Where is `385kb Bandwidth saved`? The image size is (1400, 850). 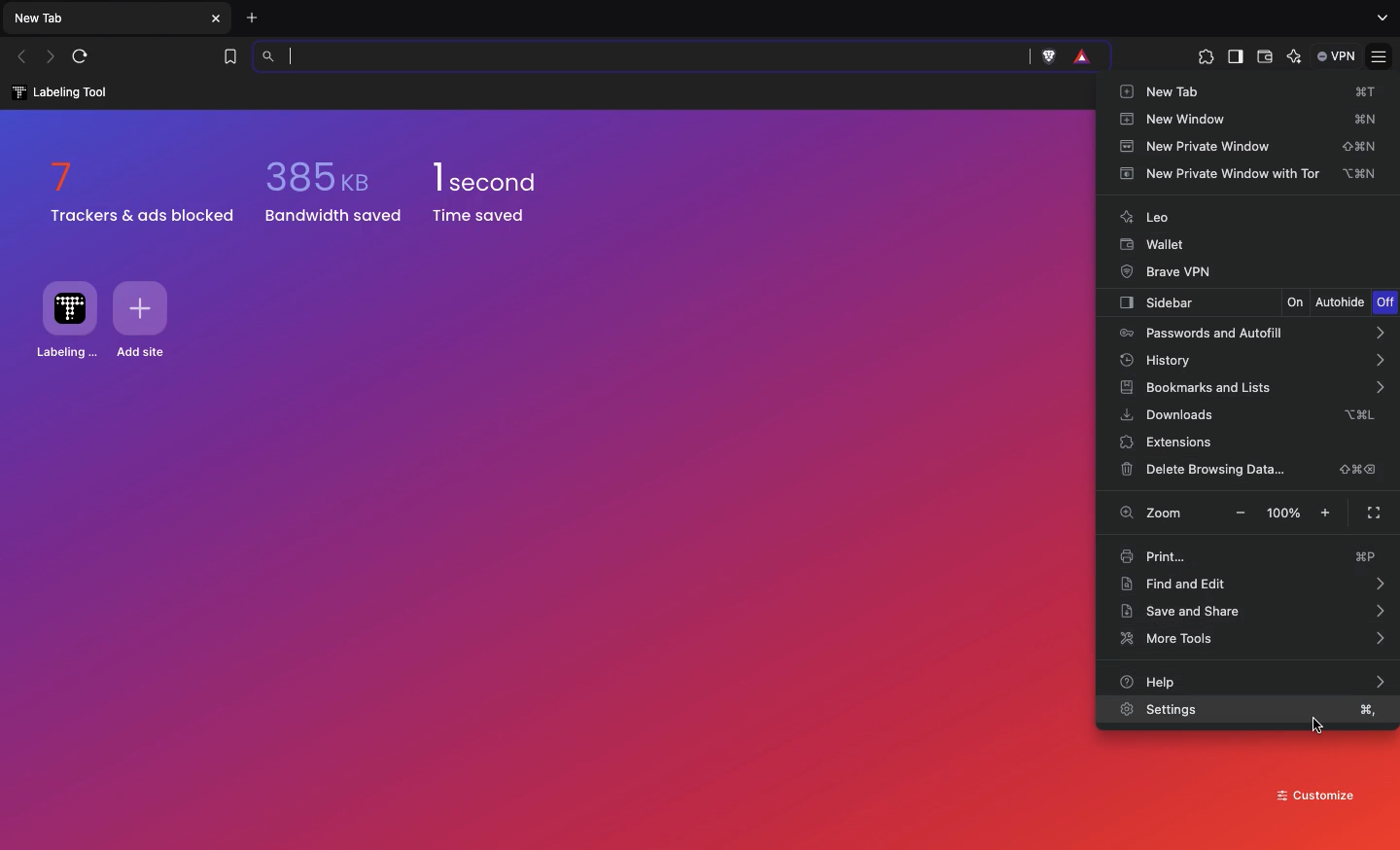 385kb Bandwidth saved is located at coordinates (335, 192).